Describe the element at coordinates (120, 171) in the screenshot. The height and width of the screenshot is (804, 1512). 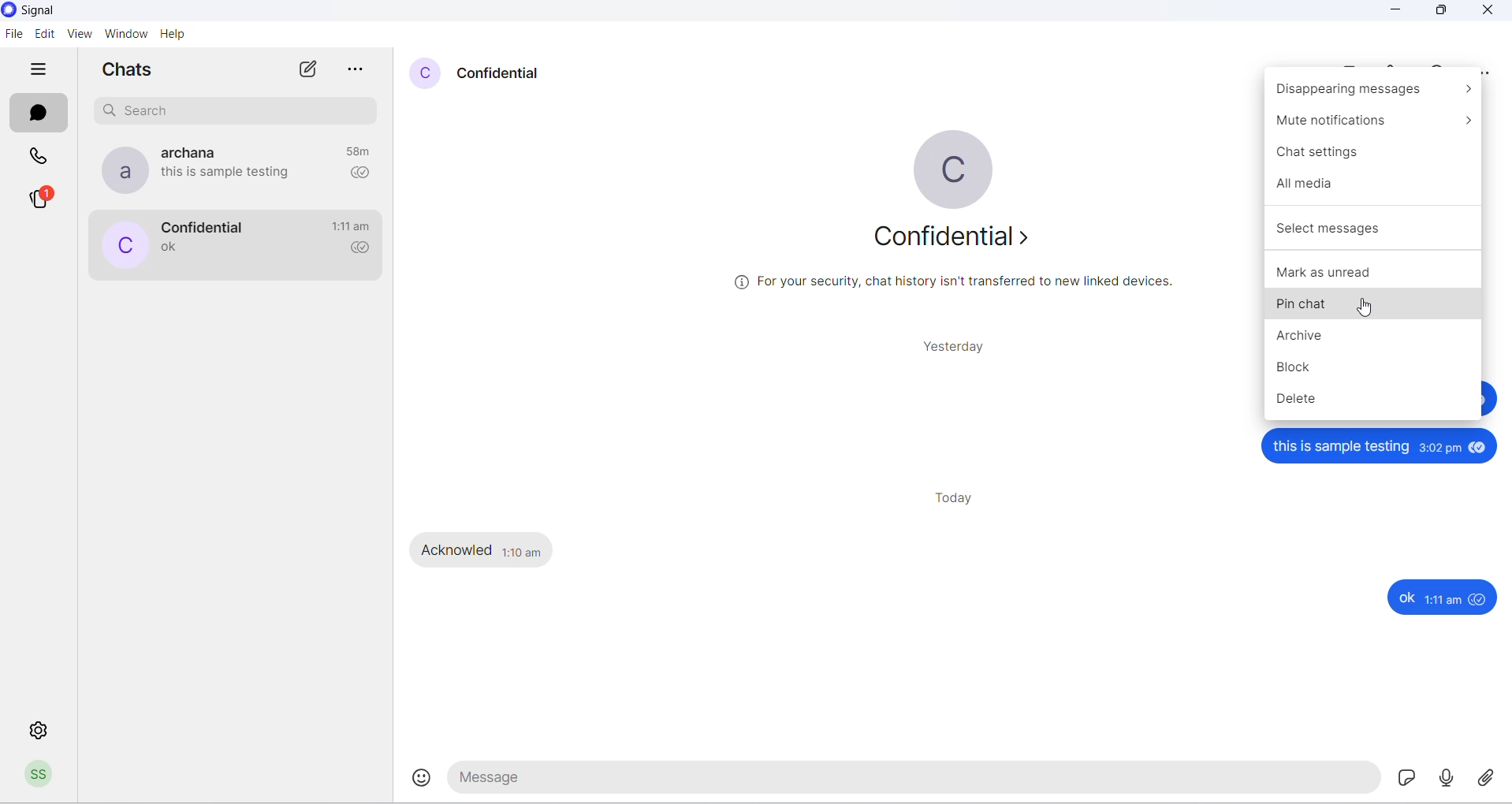
I see `profile picture` at that location.